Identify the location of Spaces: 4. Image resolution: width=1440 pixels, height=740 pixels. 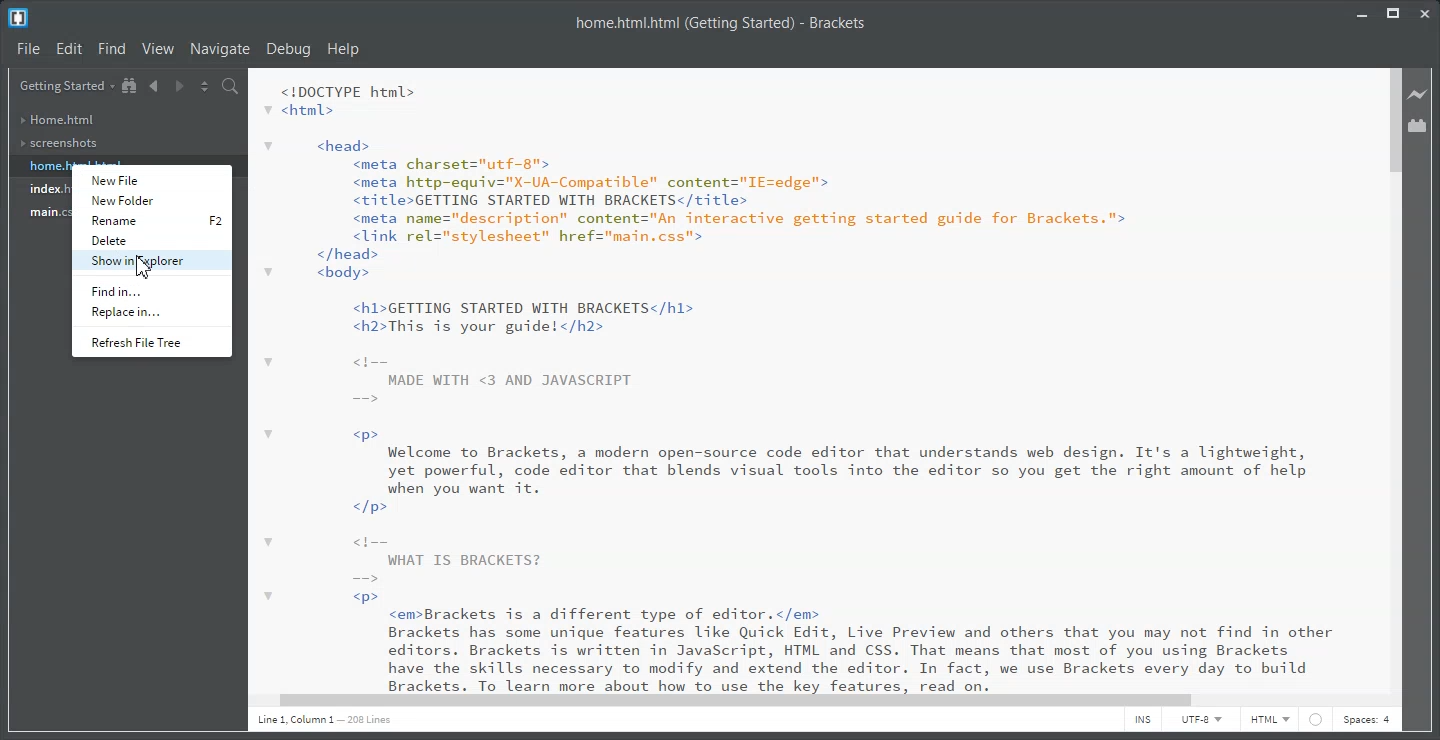
(1369, 722).